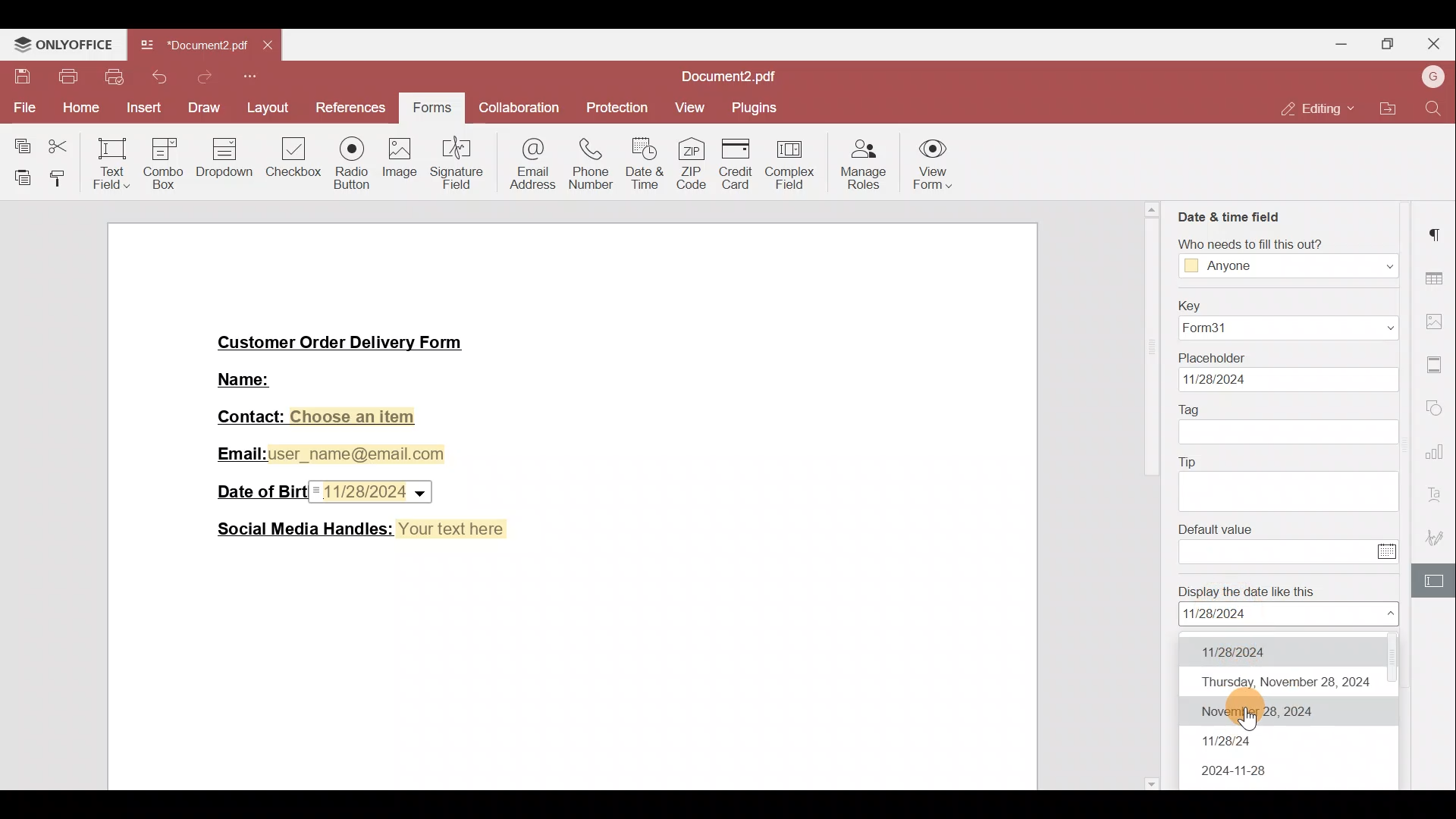 This screenshot has width=1456, height=819. I want to click on Placeholder, so click(1213, 358).